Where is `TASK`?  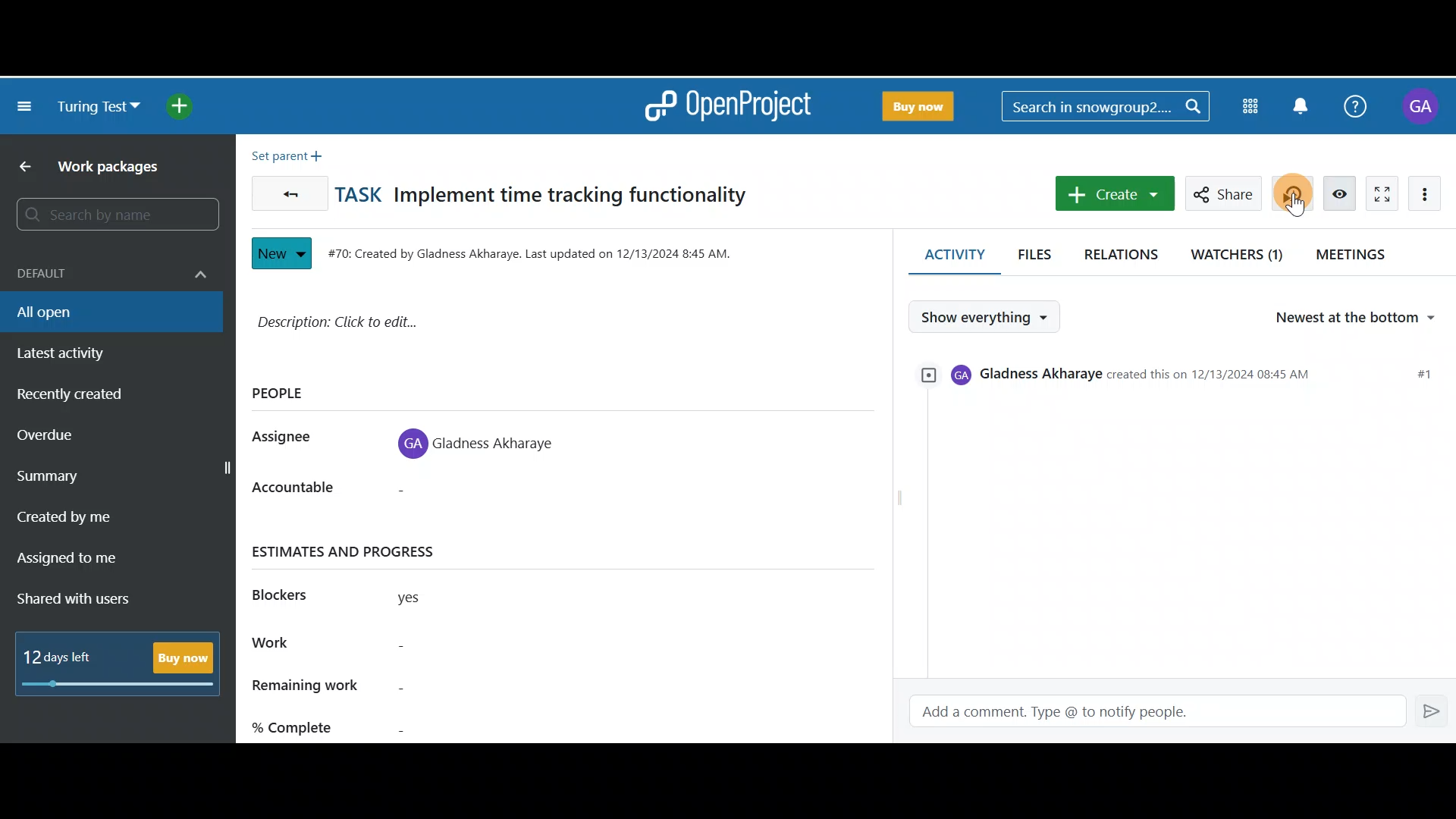 TASK is located at coordinates (362, 194).